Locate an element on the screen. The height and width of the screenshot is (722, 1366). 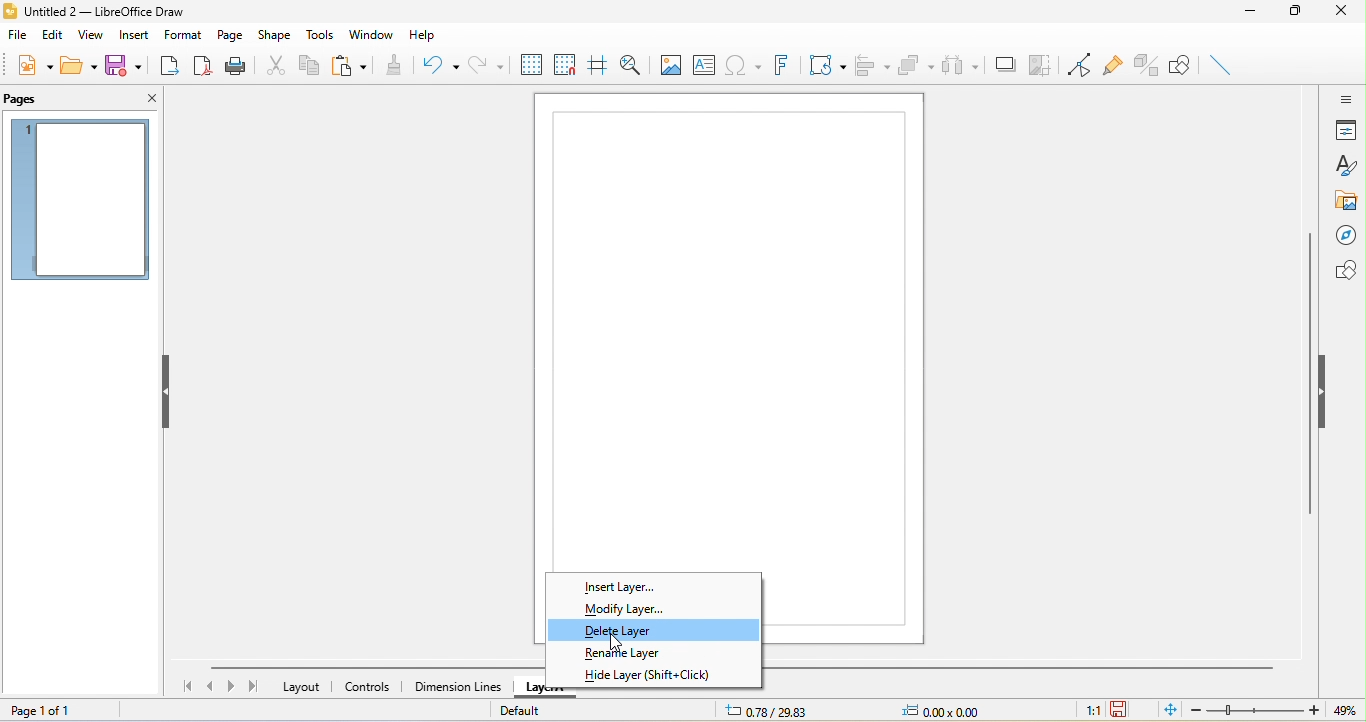
Vertical Scrollbar is located at coordinates (1306, 375).